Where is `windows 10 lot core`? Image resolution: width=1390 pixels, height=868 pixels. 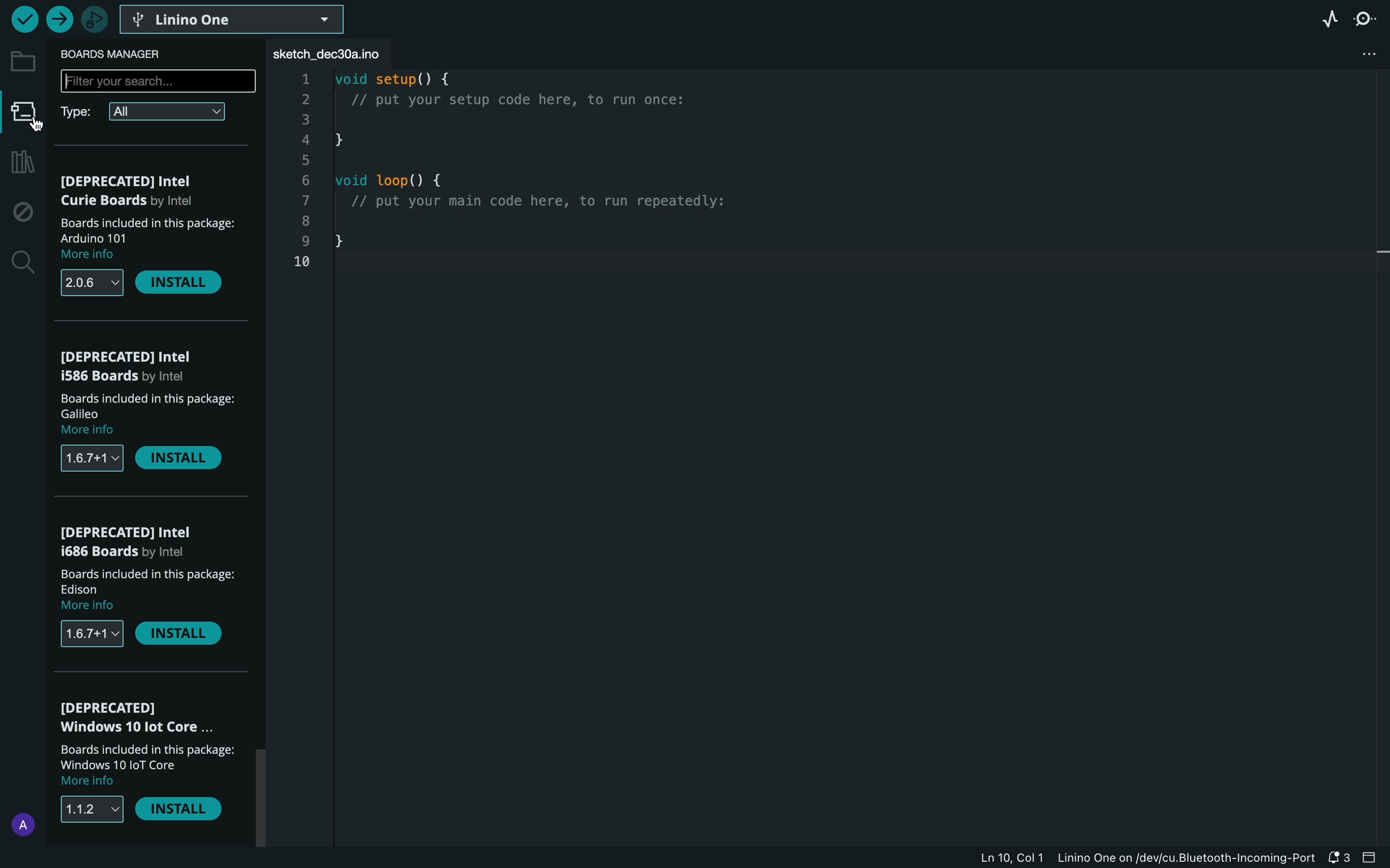
windows 10 lot core is located at coordinates (143, 717).